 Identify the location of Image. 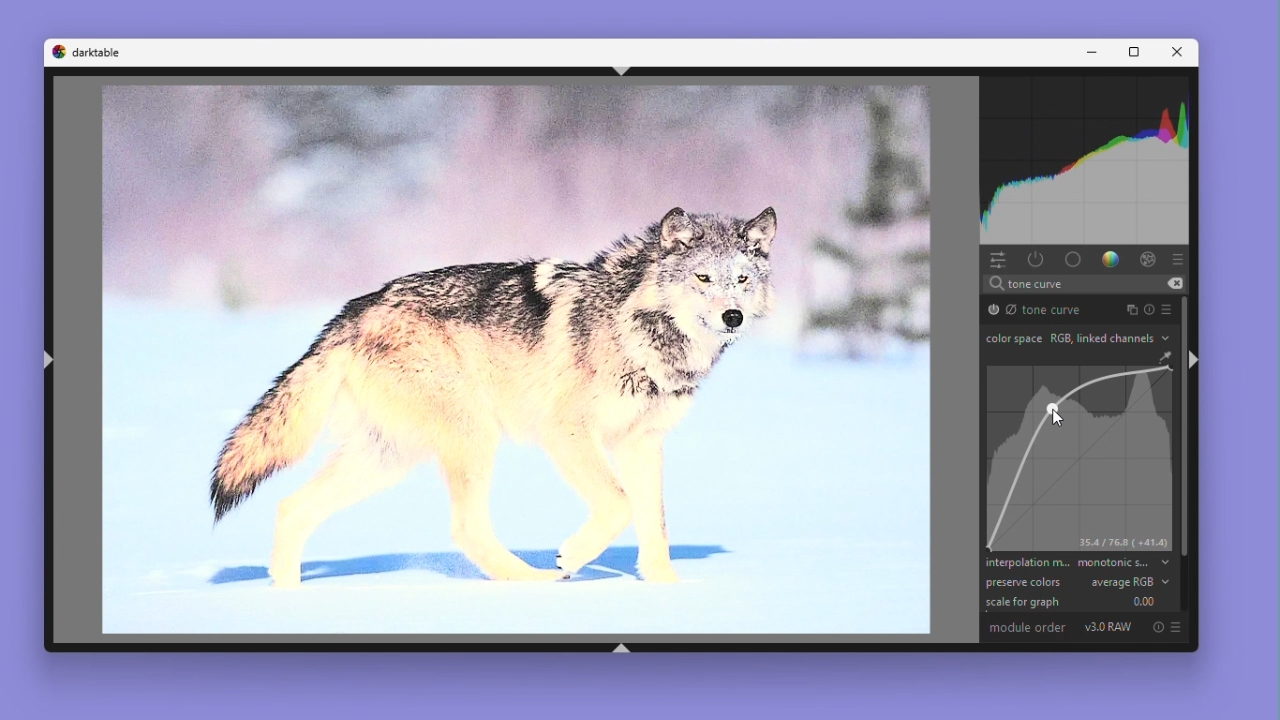
(498, 361).